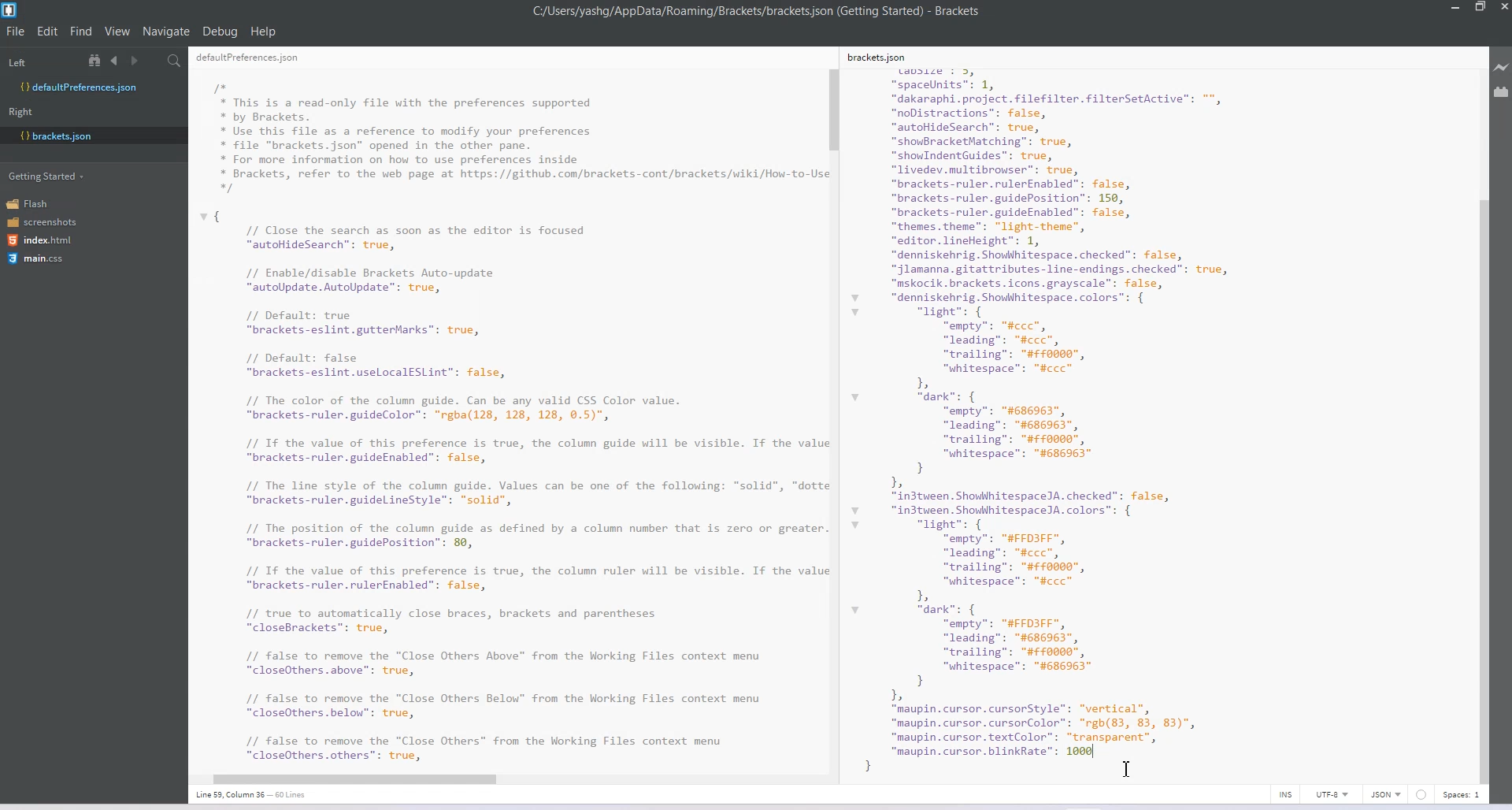  What do you see at coordinates (117, 60) in the screenshot?
I see `Navigate Backward` at bounding box center [117, 60].